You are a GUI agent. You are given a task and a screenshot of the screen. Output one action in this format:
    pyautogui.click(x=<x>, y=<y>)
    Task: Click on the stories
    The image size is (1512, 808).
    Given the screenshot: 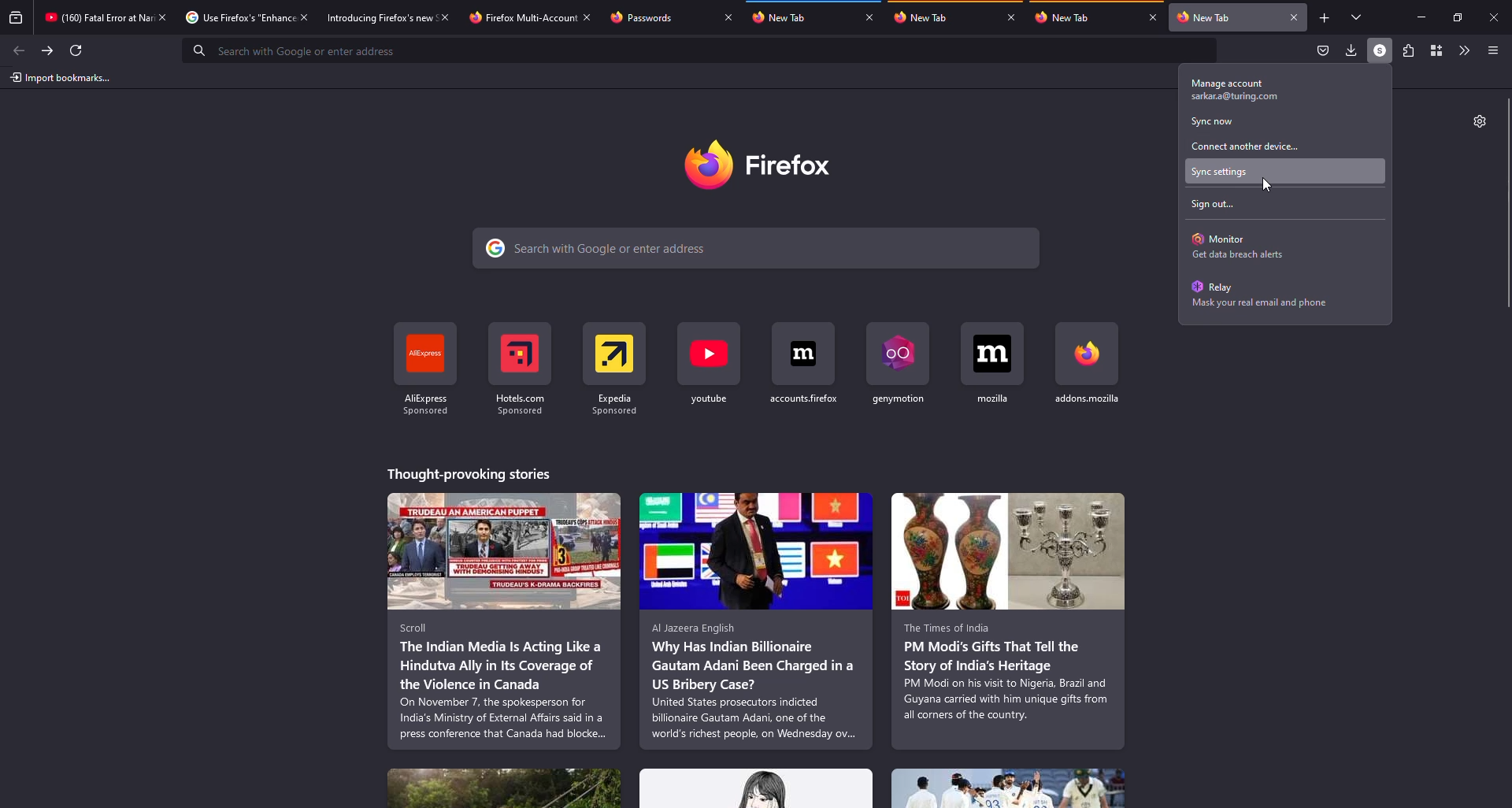 What is the action you would take?
    pyautogui.click(x=506, y=785)
    